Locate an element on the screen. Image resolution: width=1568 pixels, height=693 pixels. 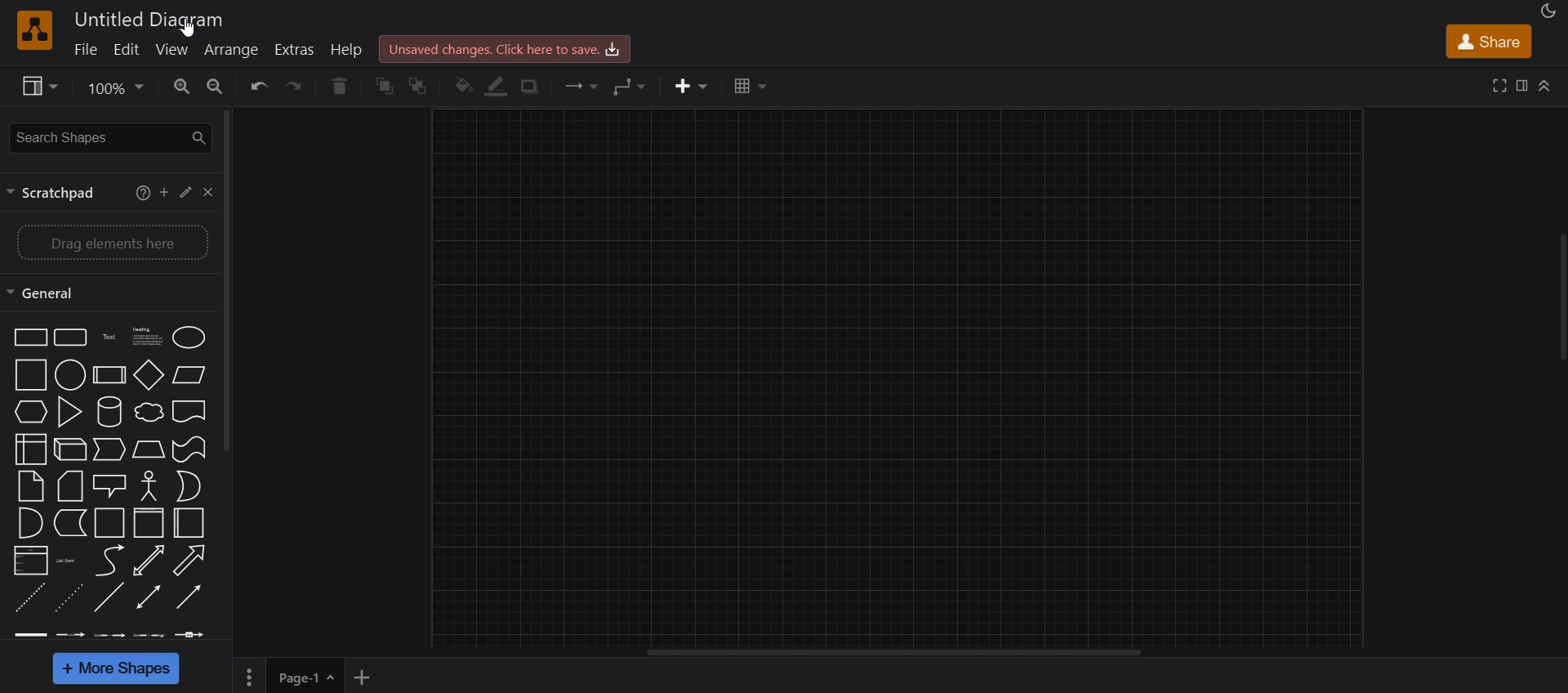
collapse/expand is located at coordinates (1545, 87).